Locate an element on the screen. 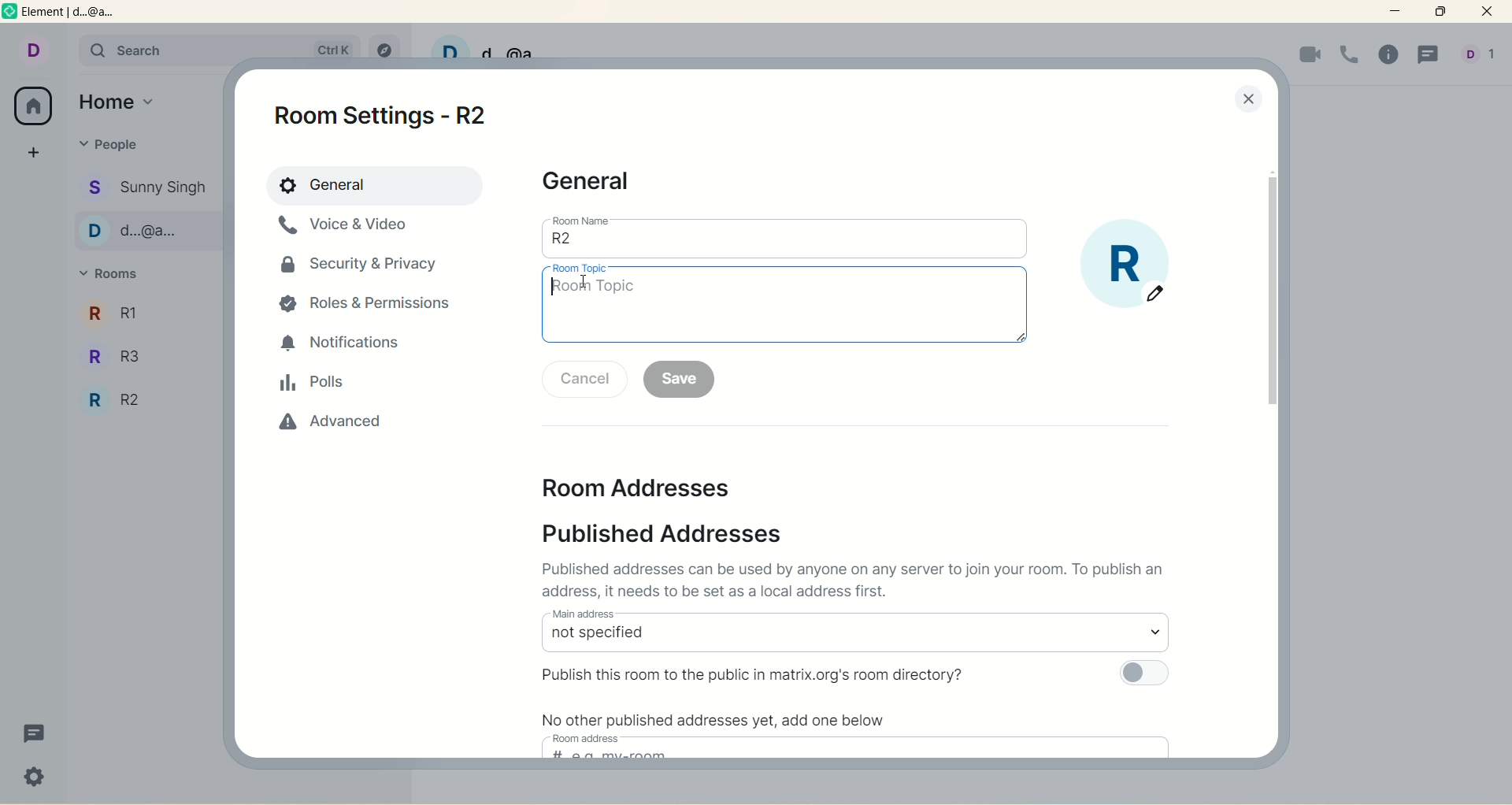 The height and width of the screenshot is (805, 1512). people is located at coordinates (110, 144).